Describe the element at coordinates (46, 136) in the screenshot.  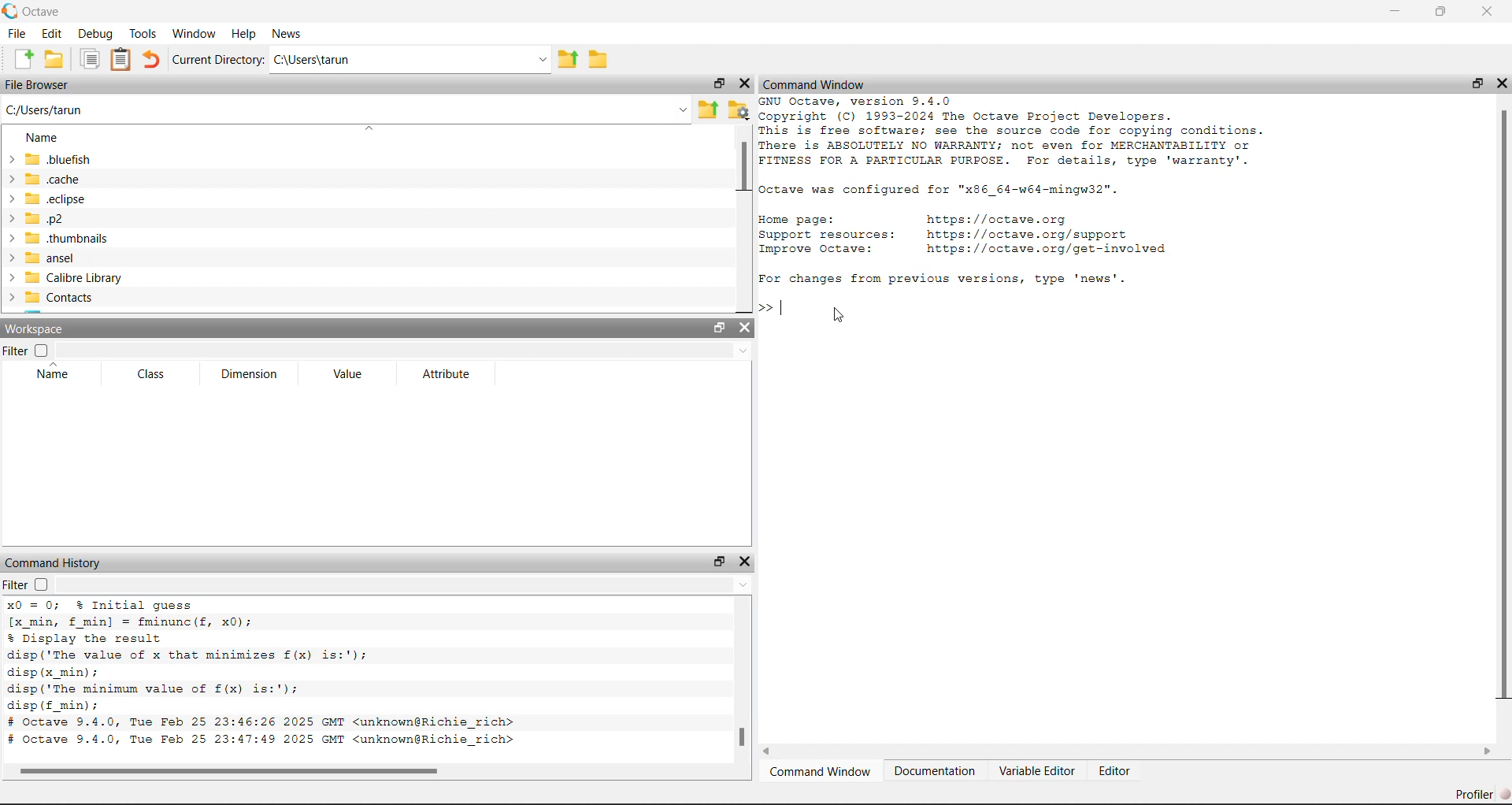
I see `Name` at that location.